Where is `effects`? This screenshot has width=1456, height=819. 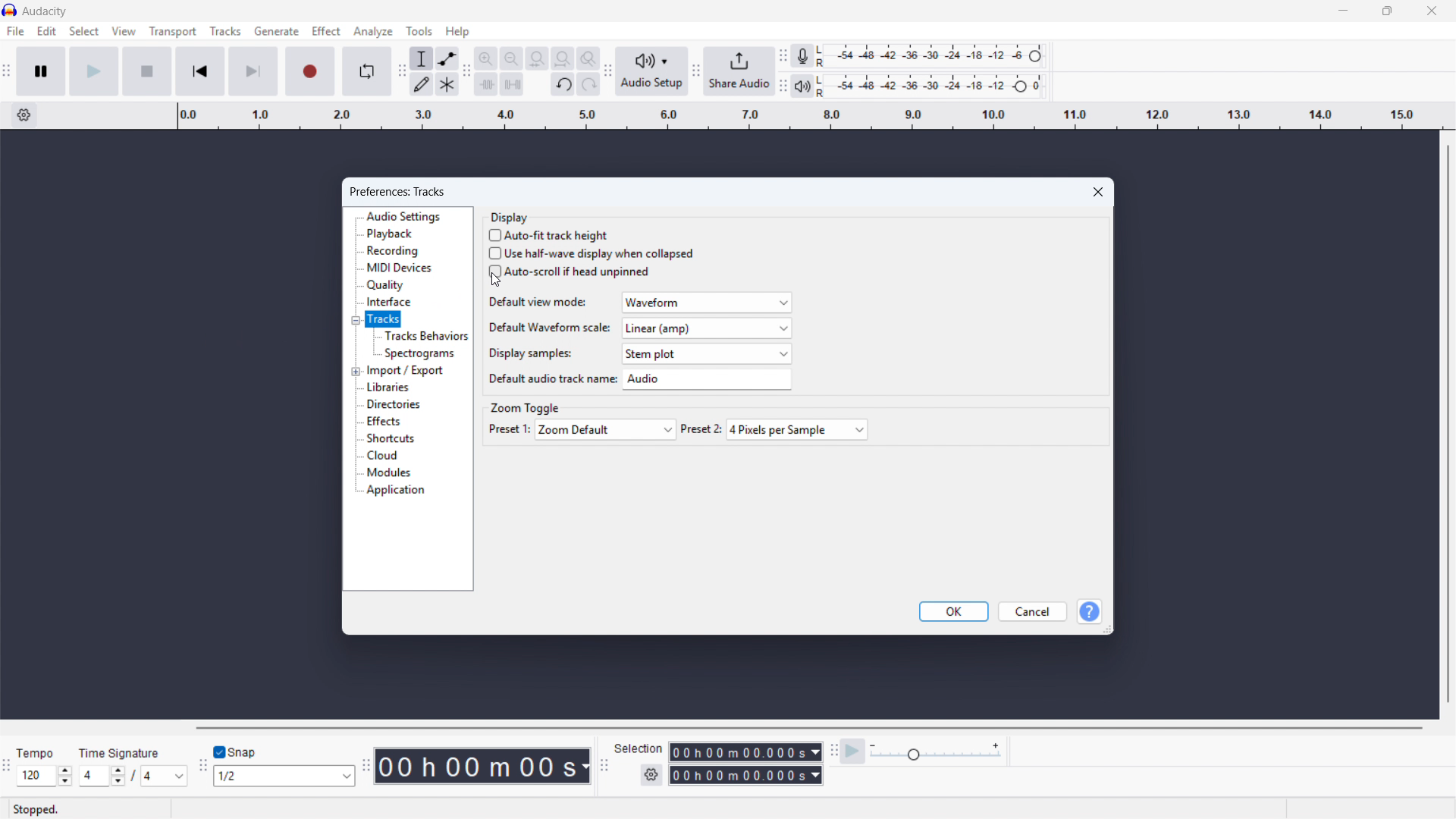 effects is located at coordinates (382, 422).